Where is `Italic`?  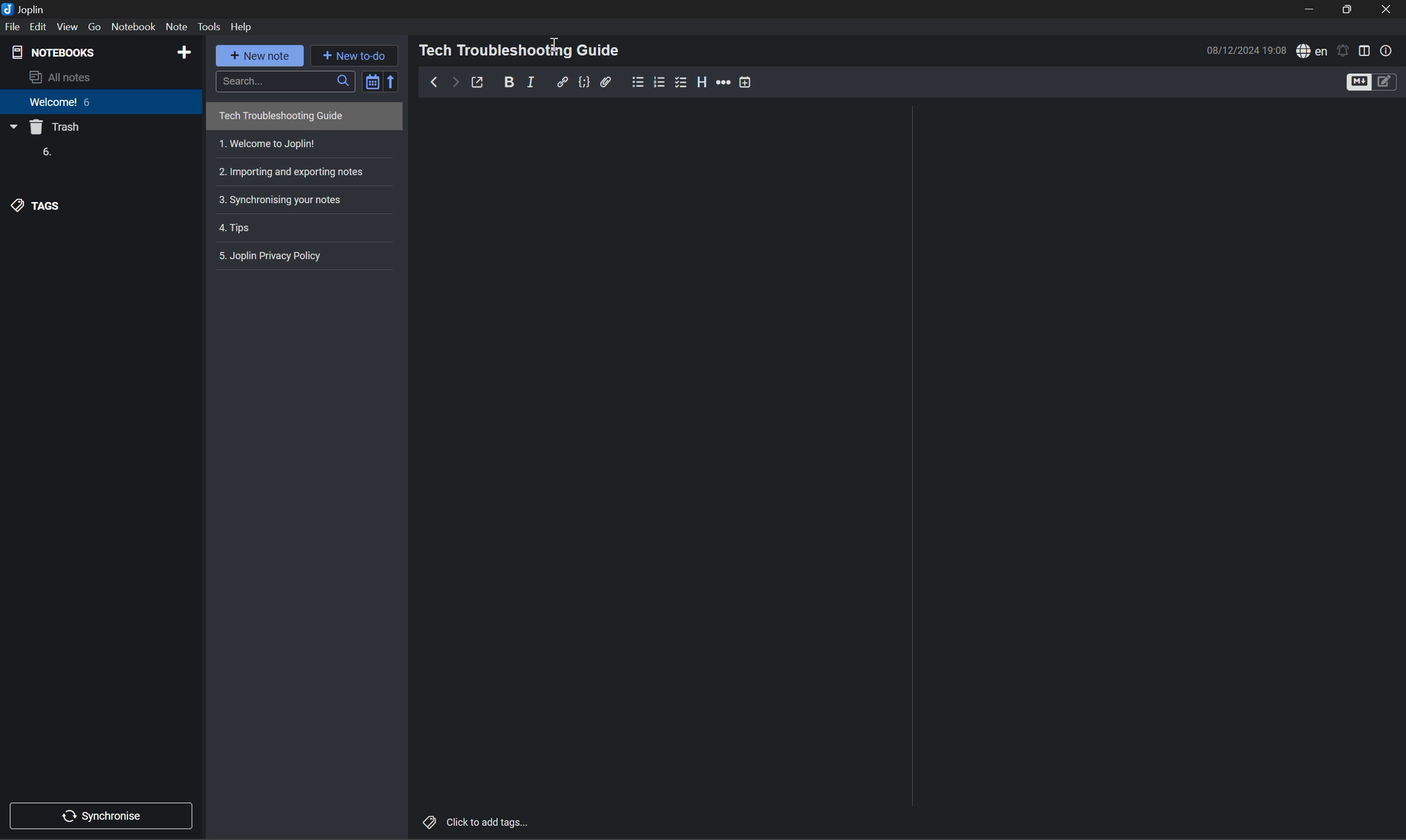
Italic is located at coordinates (533, 82).